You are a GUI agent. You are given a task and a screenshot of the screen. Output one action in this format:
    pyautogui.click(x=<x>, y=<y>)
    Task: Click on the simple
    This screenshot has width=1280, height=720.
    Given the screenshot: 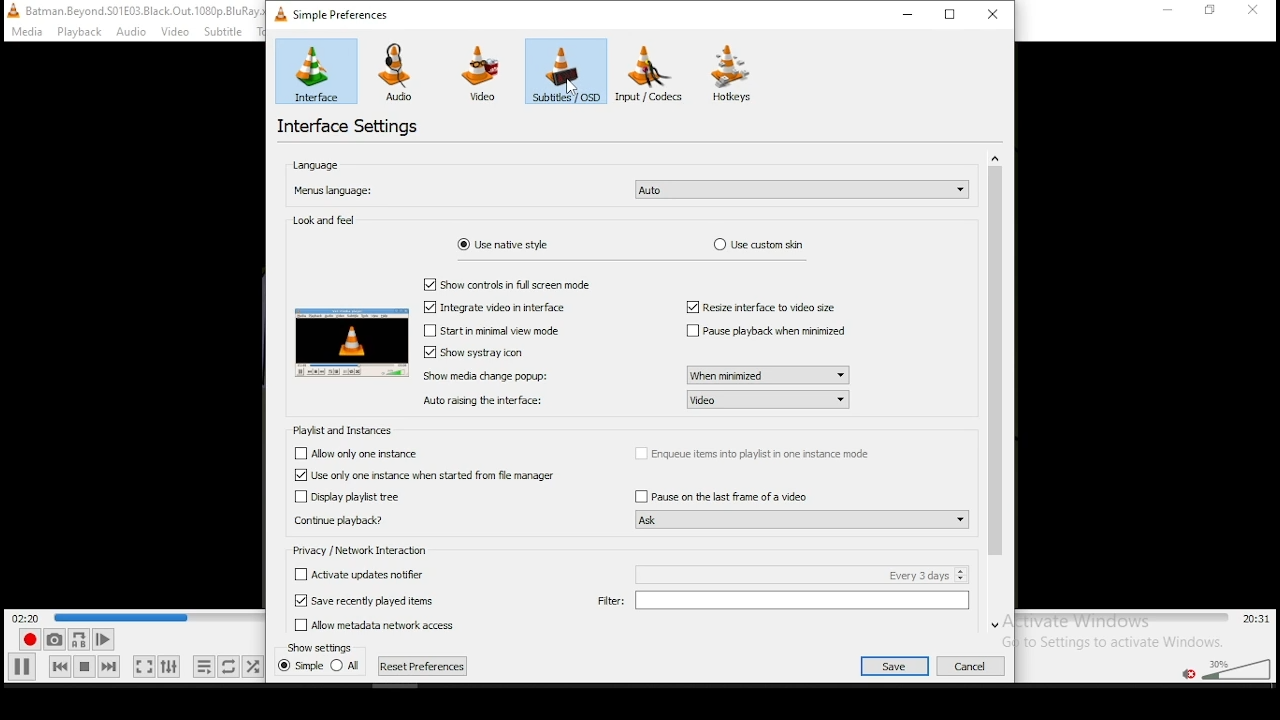 What is the action you would take?
    pyautogui.click(x=300, y=665)
    